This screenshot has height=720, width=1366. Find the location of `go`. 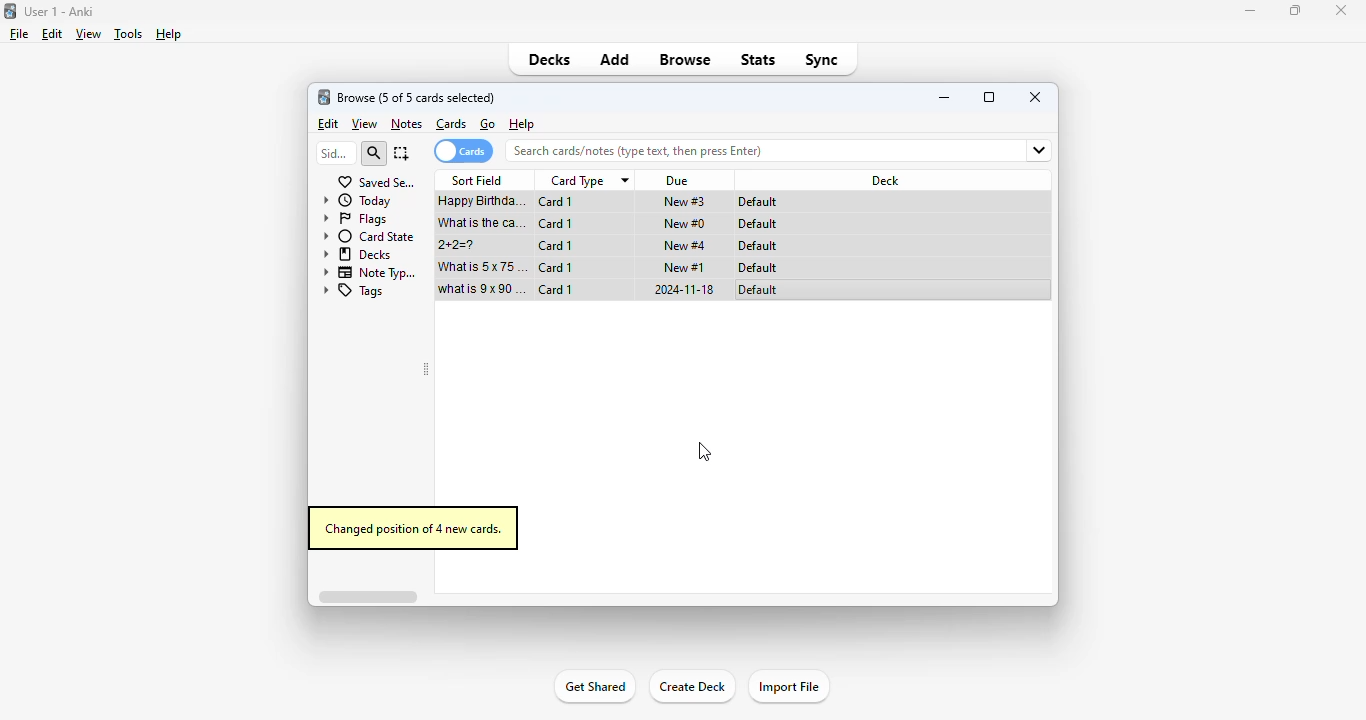

go is located at coordinates (488, 124).